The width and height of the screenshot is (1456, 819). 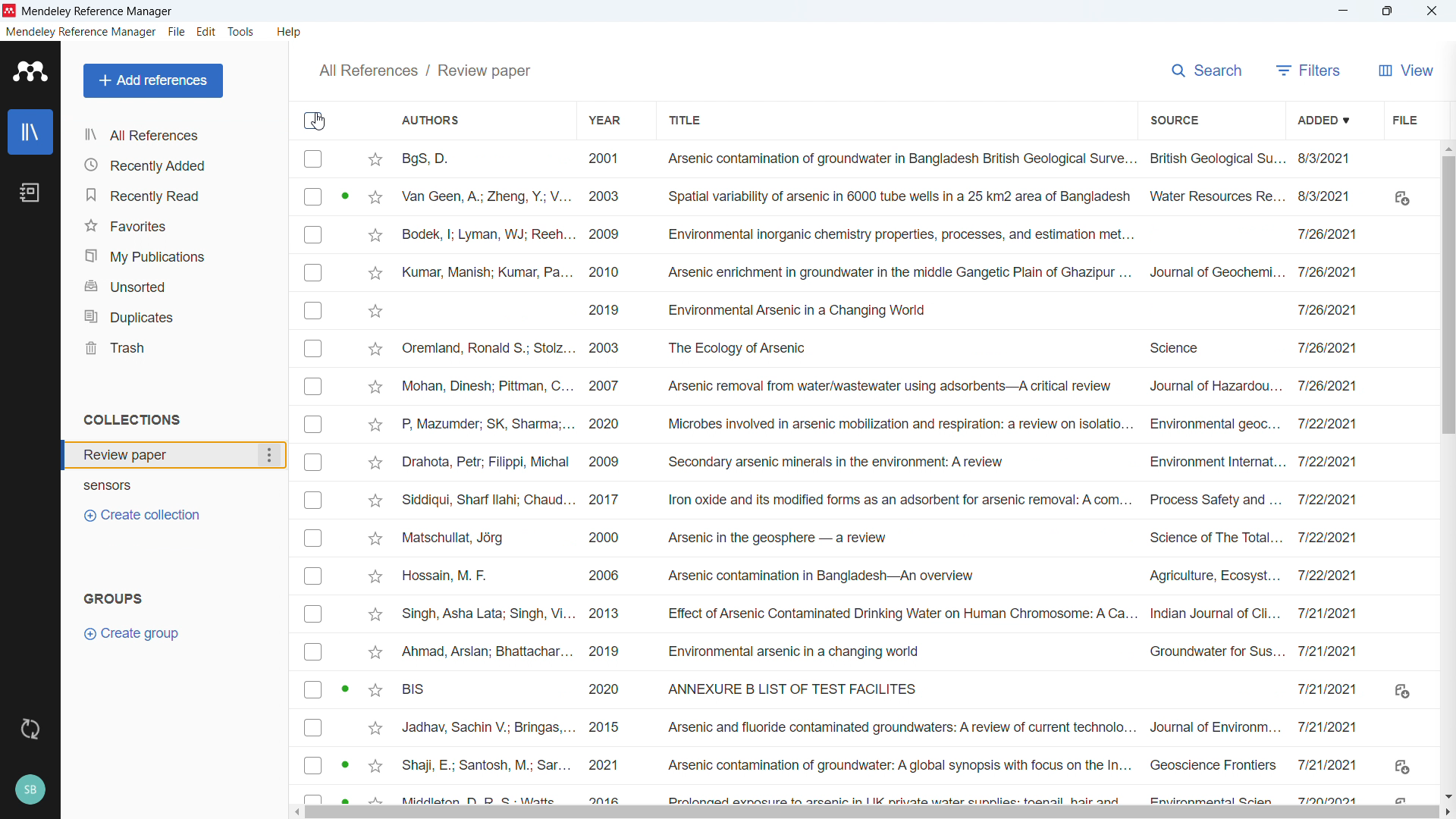 I want to click on File, so click(x=1404, y=118).